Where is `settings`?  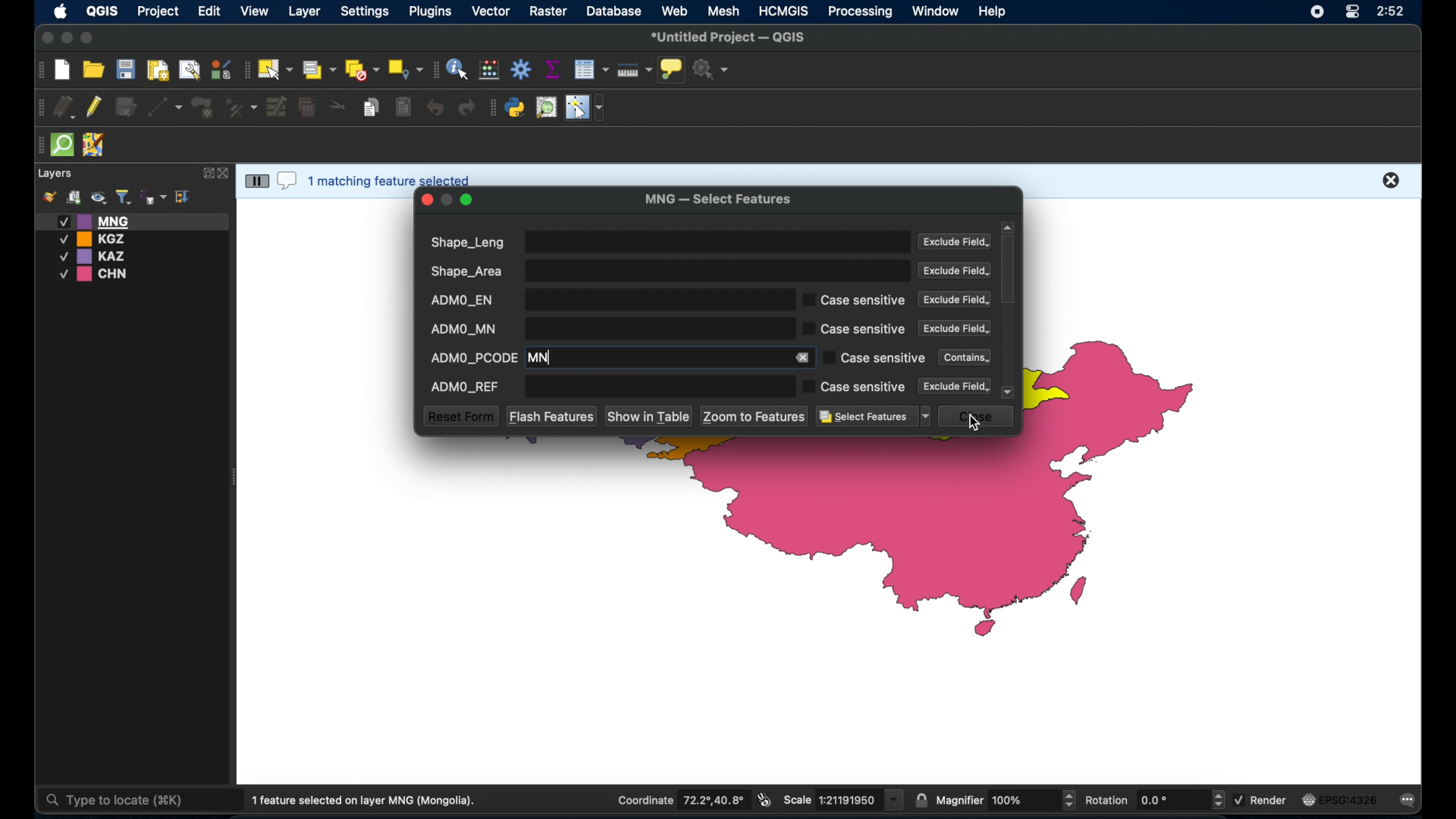 settings is located at coordinates (364, 12).